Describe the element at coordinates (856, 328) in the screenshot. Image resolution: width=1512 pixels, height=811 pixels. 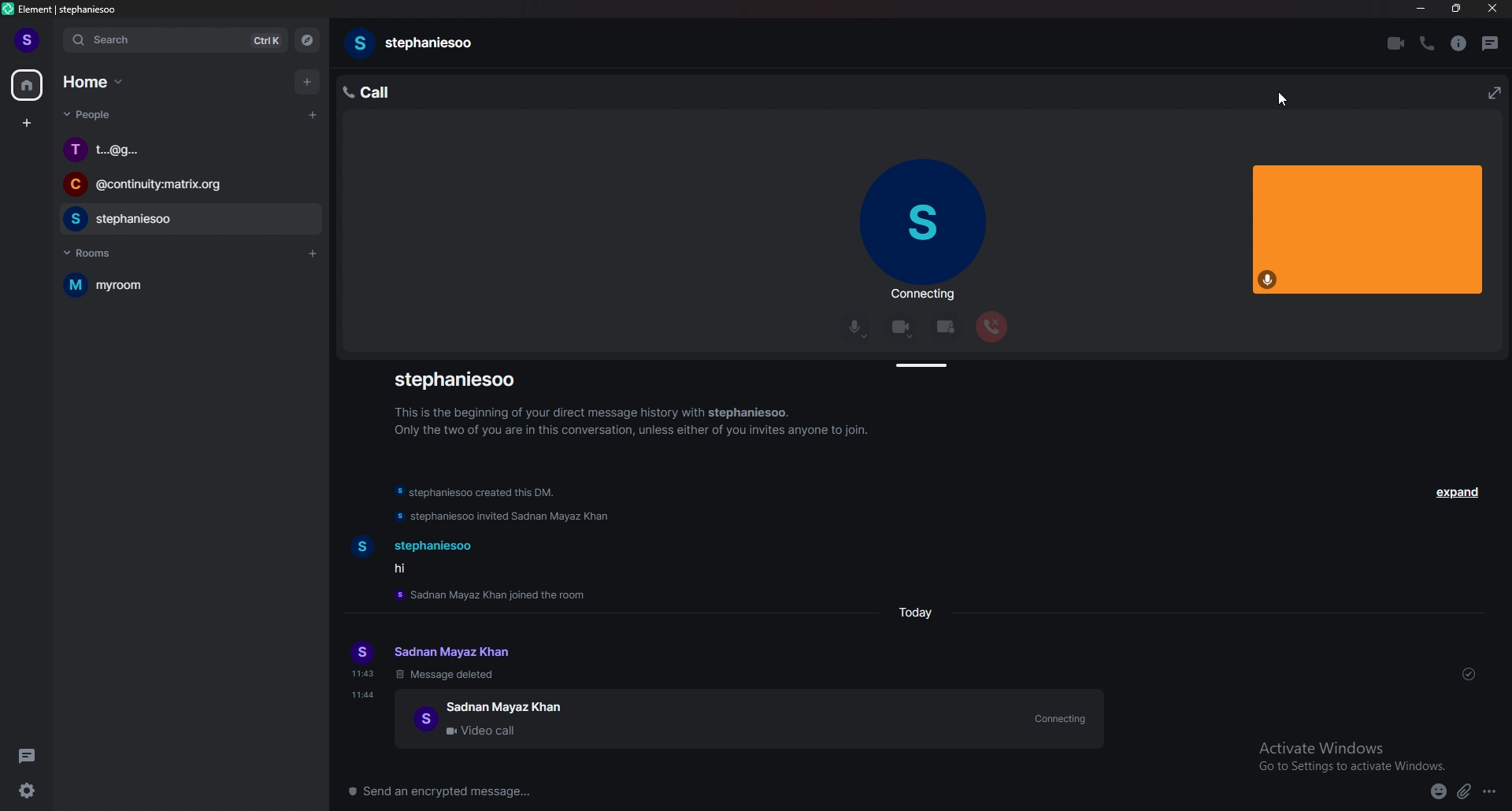
I see `microphone` at that location.